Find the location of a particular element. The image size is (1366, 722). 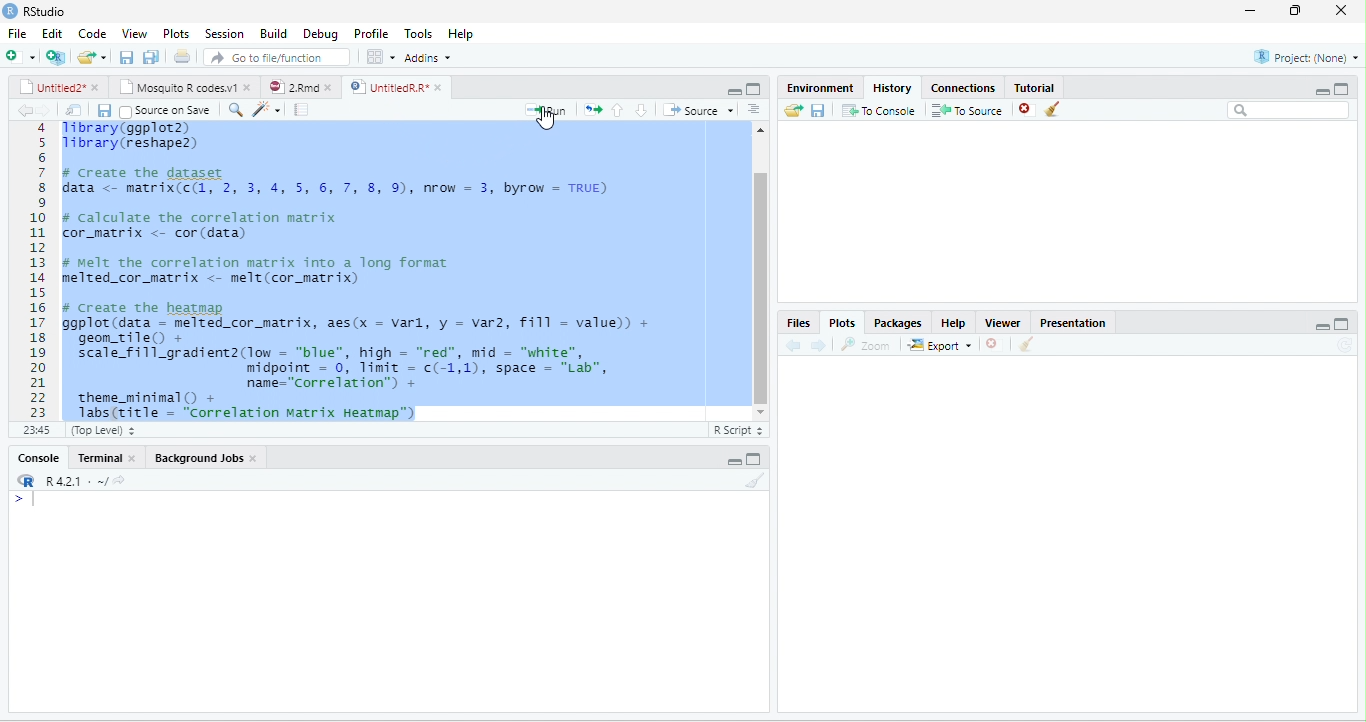

2Rnd is located at coordinates (295, 86).